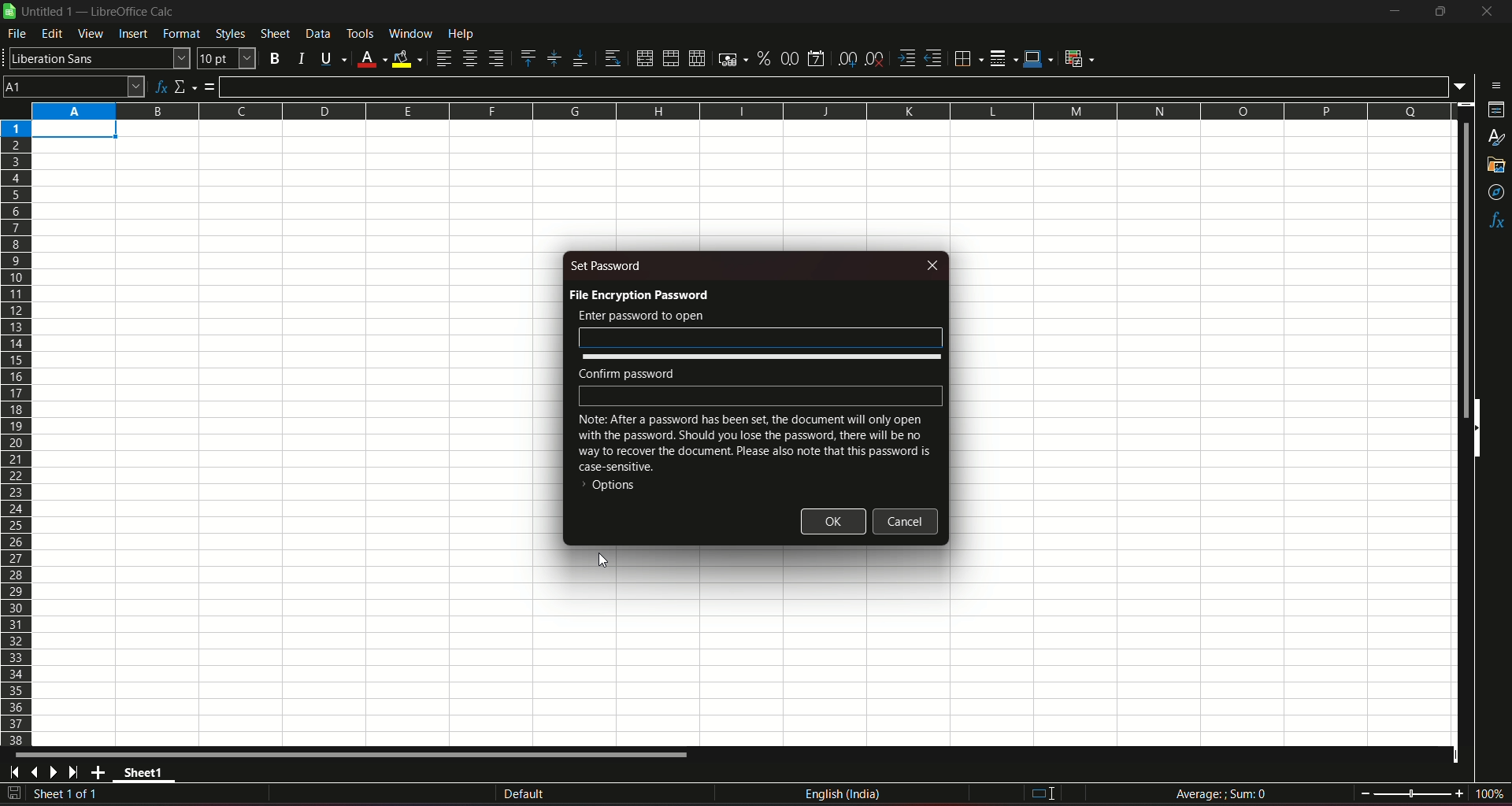 The image size is (1512, 806). I want to click on libreoffice calc logo, so click(9, 12).